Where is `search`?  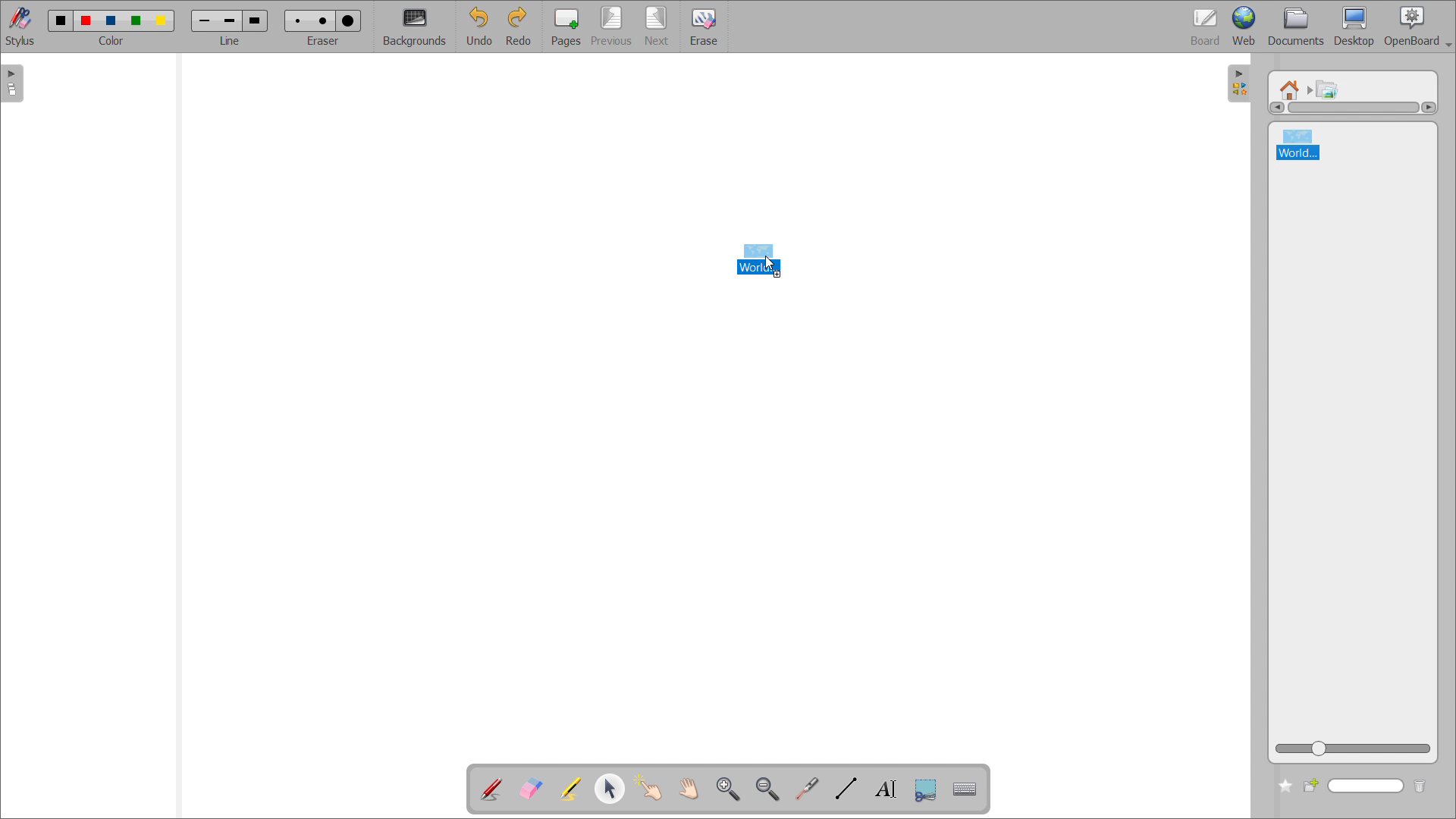
search is located at coordinates (1365, 786).